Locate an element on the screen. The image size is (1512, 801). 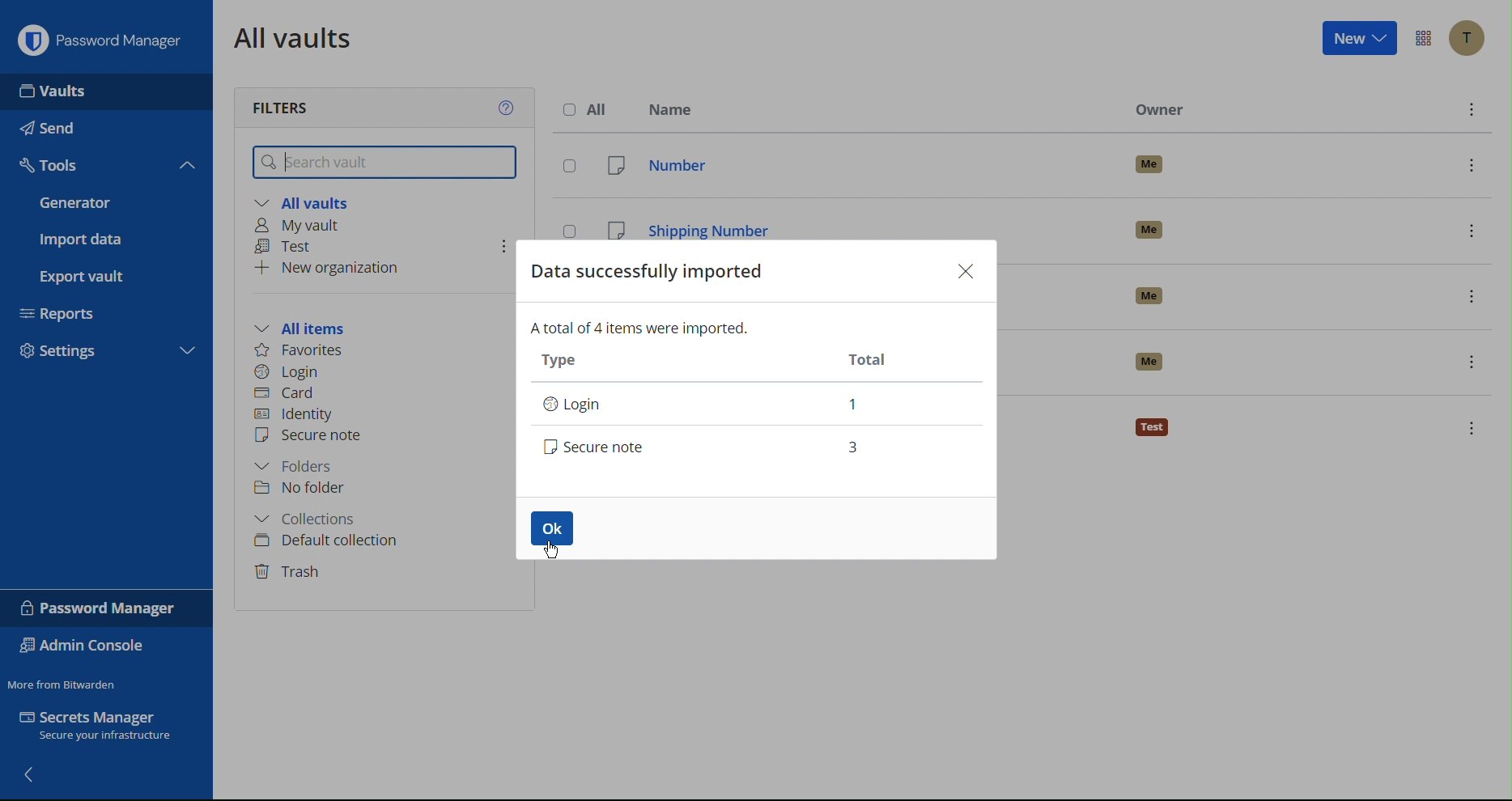
Account is located at coordinates (1469, 39).